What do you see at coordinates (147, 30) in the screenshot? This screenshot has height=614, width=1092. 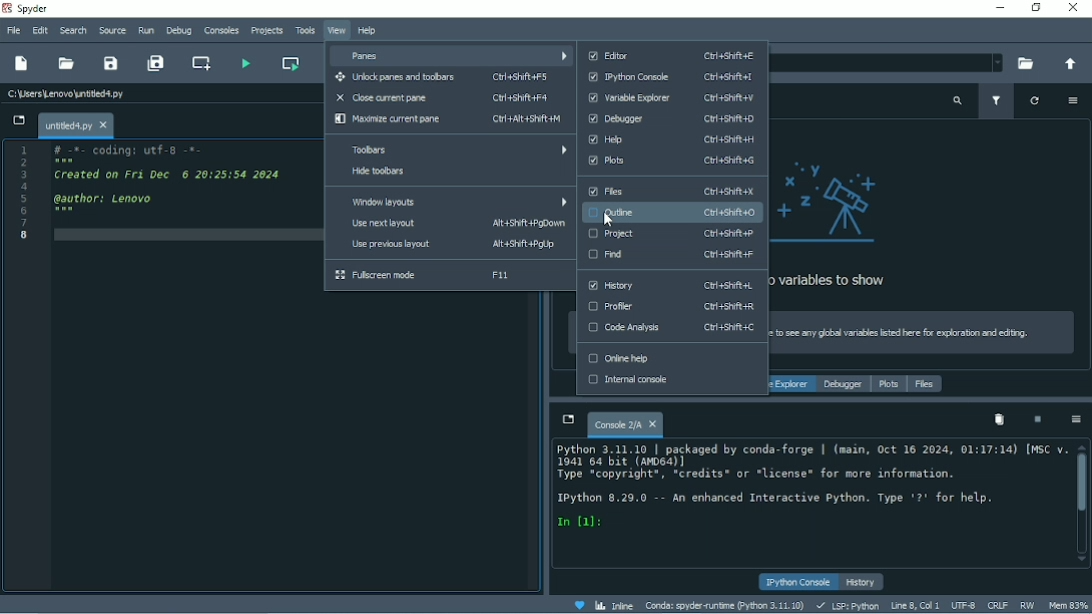 I see `Run` at bounding box center [147, 30].